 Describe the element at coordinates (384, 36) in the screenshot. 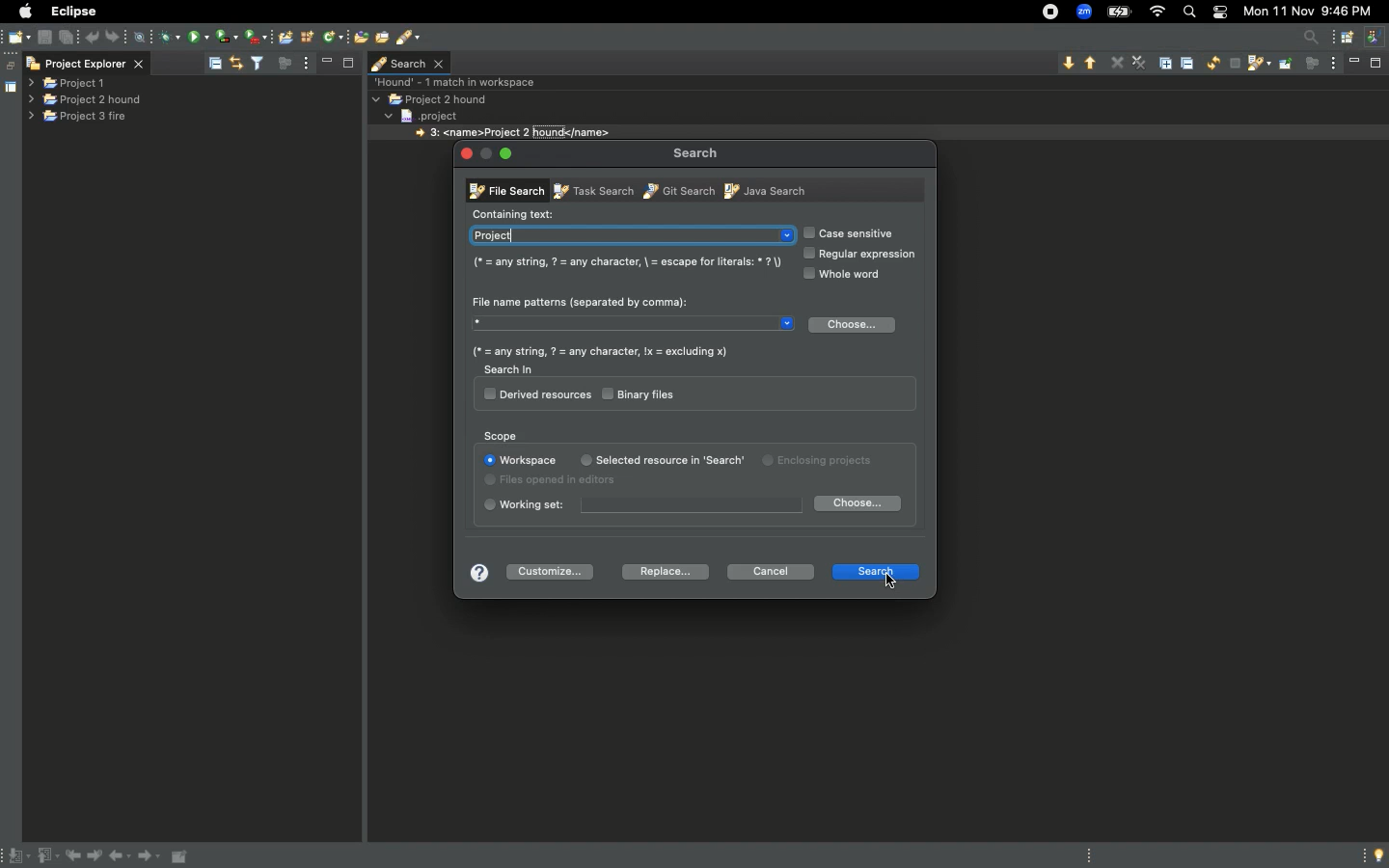

I see `open tasks` at that location.